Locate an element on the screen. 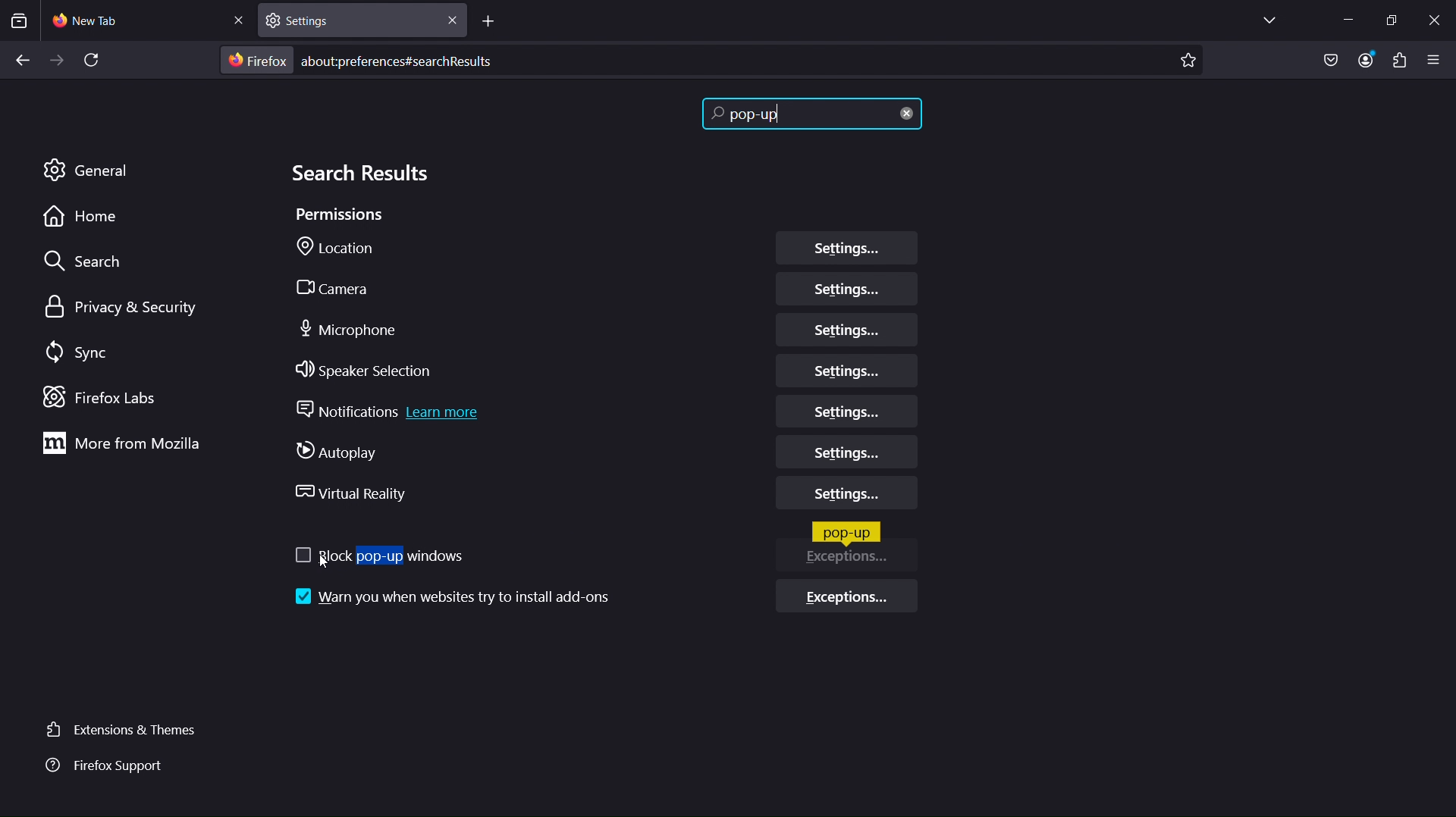 The image size is (1456, 817). Virtual Reality is located at coordinates (350, 493).